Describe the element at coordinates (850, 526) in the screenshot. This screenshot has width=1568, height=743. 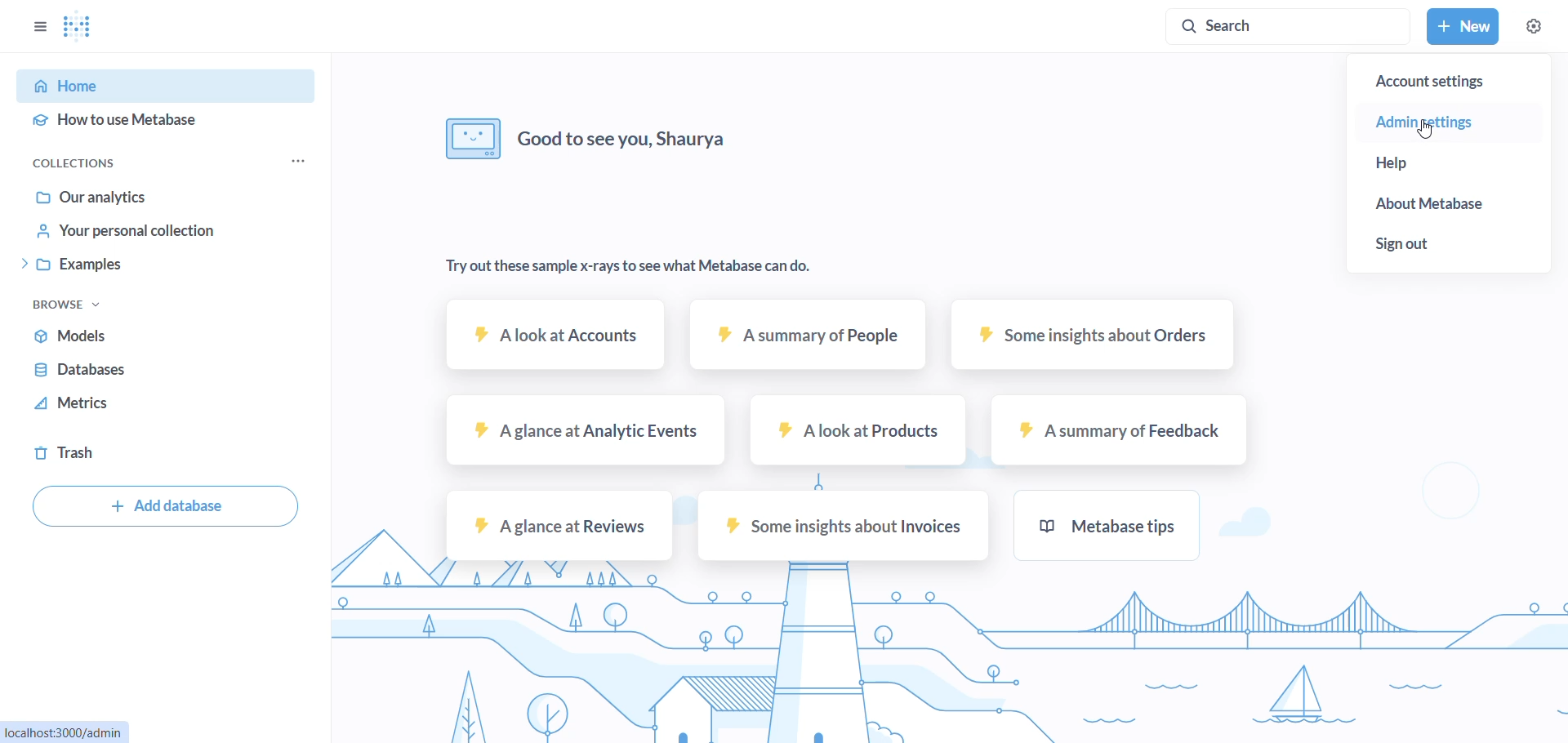
I see `some insights about invoices sample` at that location.